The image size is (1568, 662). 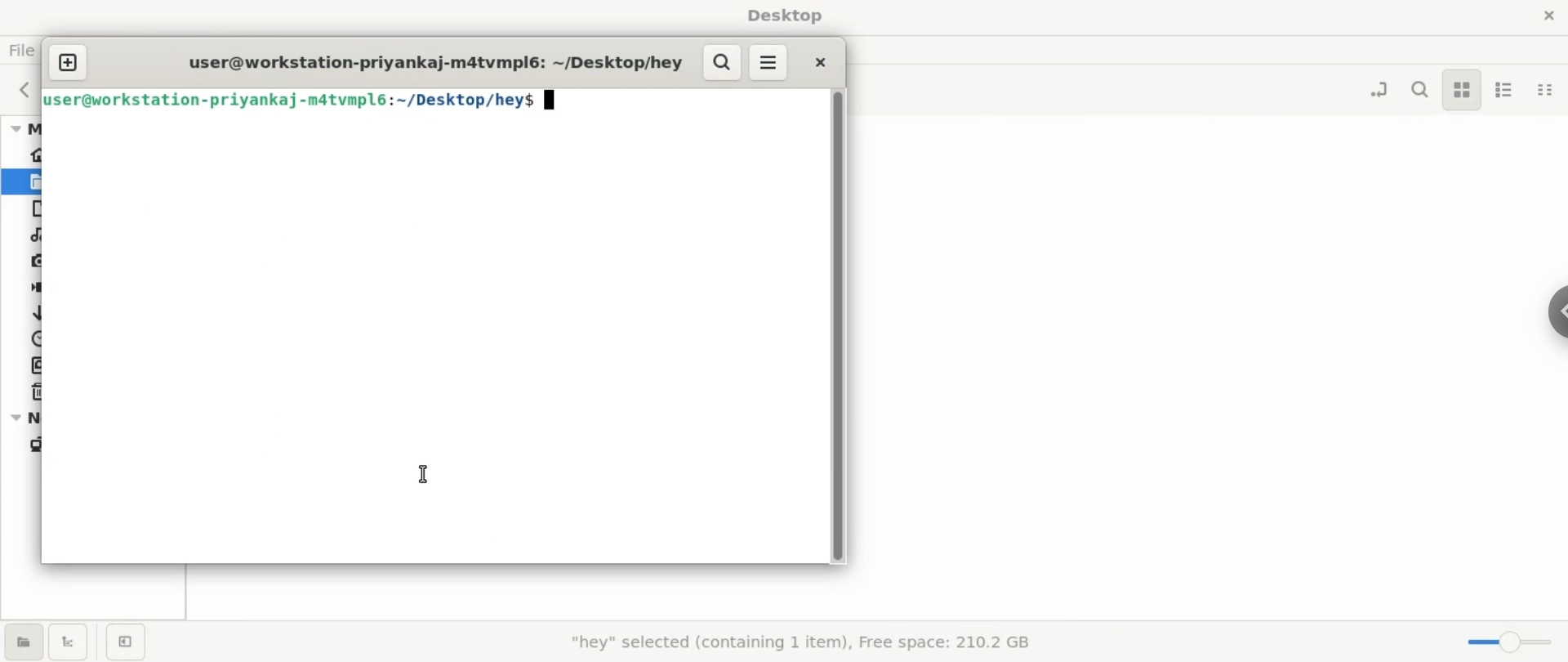 I want to click on vertical scroll bar, so click(x=839, y=325).